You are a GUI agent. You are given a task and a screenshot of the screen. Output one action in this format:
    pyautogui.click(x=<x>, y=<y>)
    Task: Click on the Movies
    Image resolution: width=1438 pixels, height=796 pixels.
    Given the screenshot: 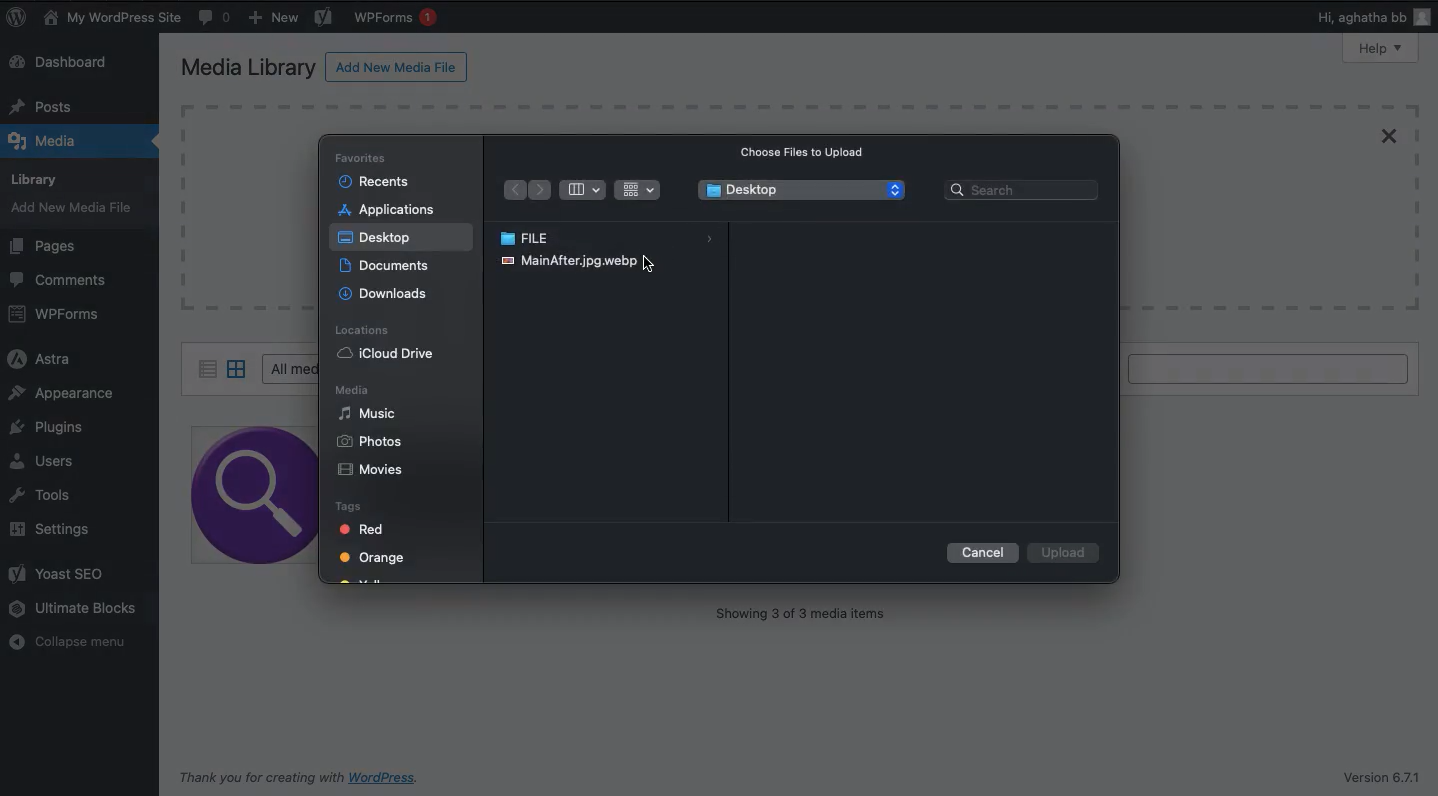 What is the action you would take?
    pyautogui.click(x=374, y=468)
    